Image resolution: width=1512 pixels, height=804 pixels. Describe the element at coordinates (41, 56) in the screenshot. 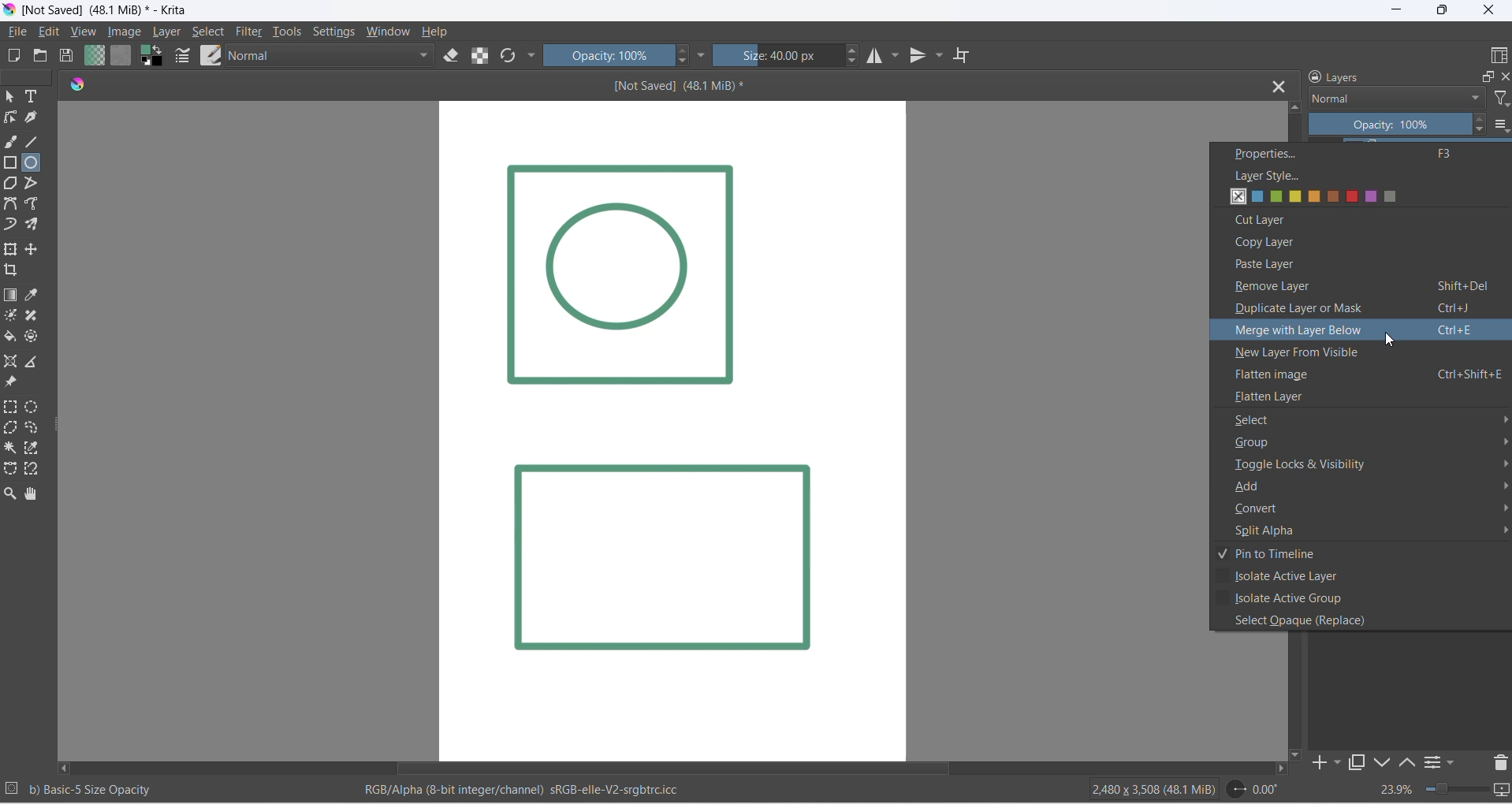

I see `open` at that location.